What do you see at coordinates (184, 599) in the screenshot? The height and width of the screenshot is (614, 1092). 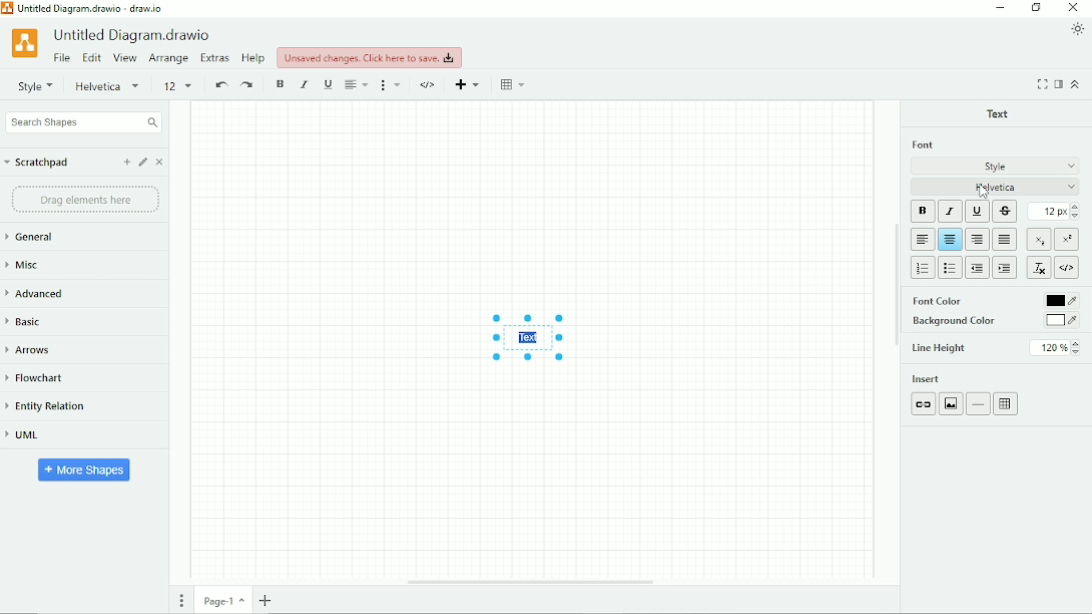 I see `Pages` at bounding box center [184, 599].